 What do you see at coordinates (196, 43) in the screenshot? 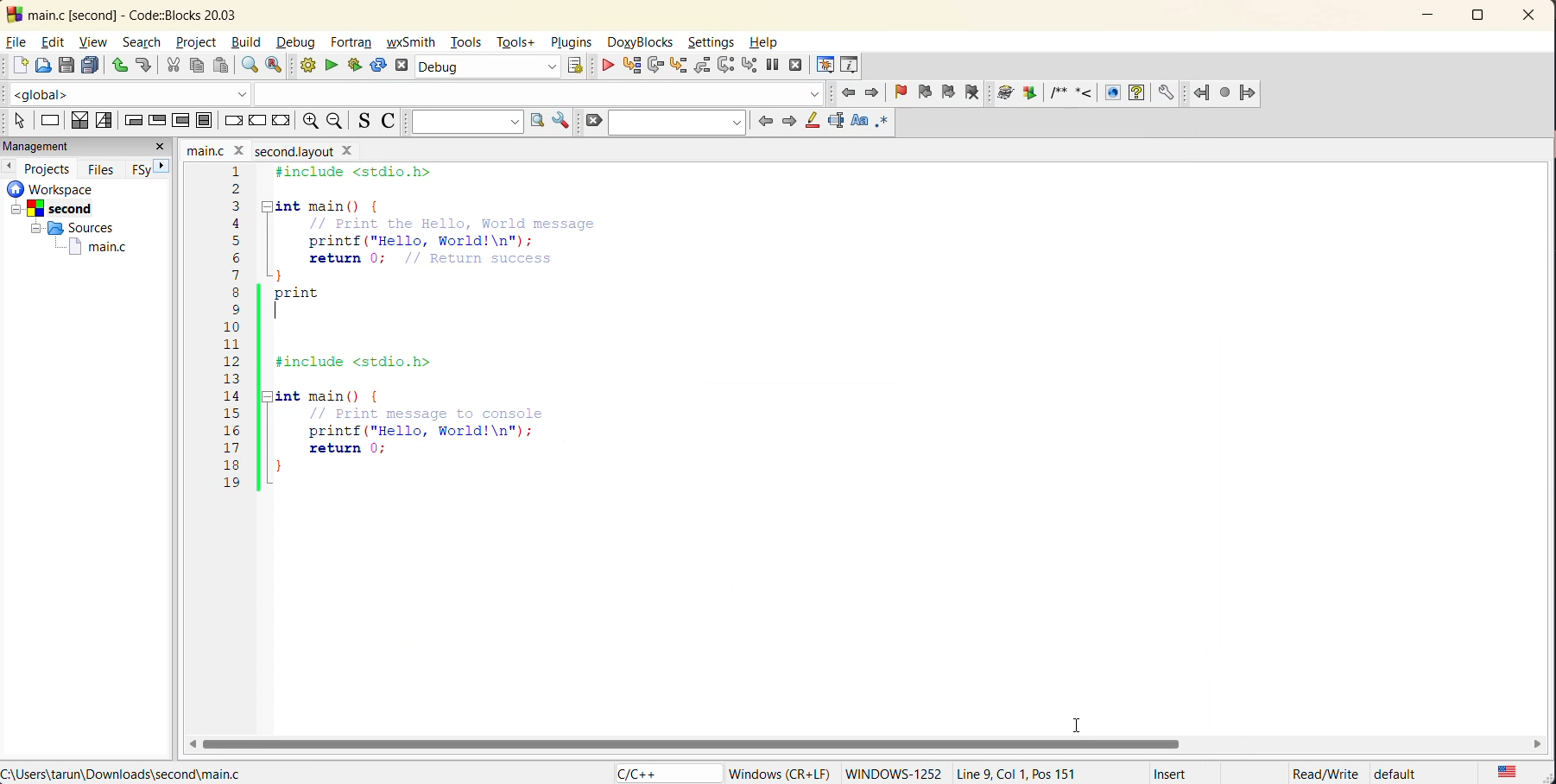
I see `project` at bounding box center [196, 43].